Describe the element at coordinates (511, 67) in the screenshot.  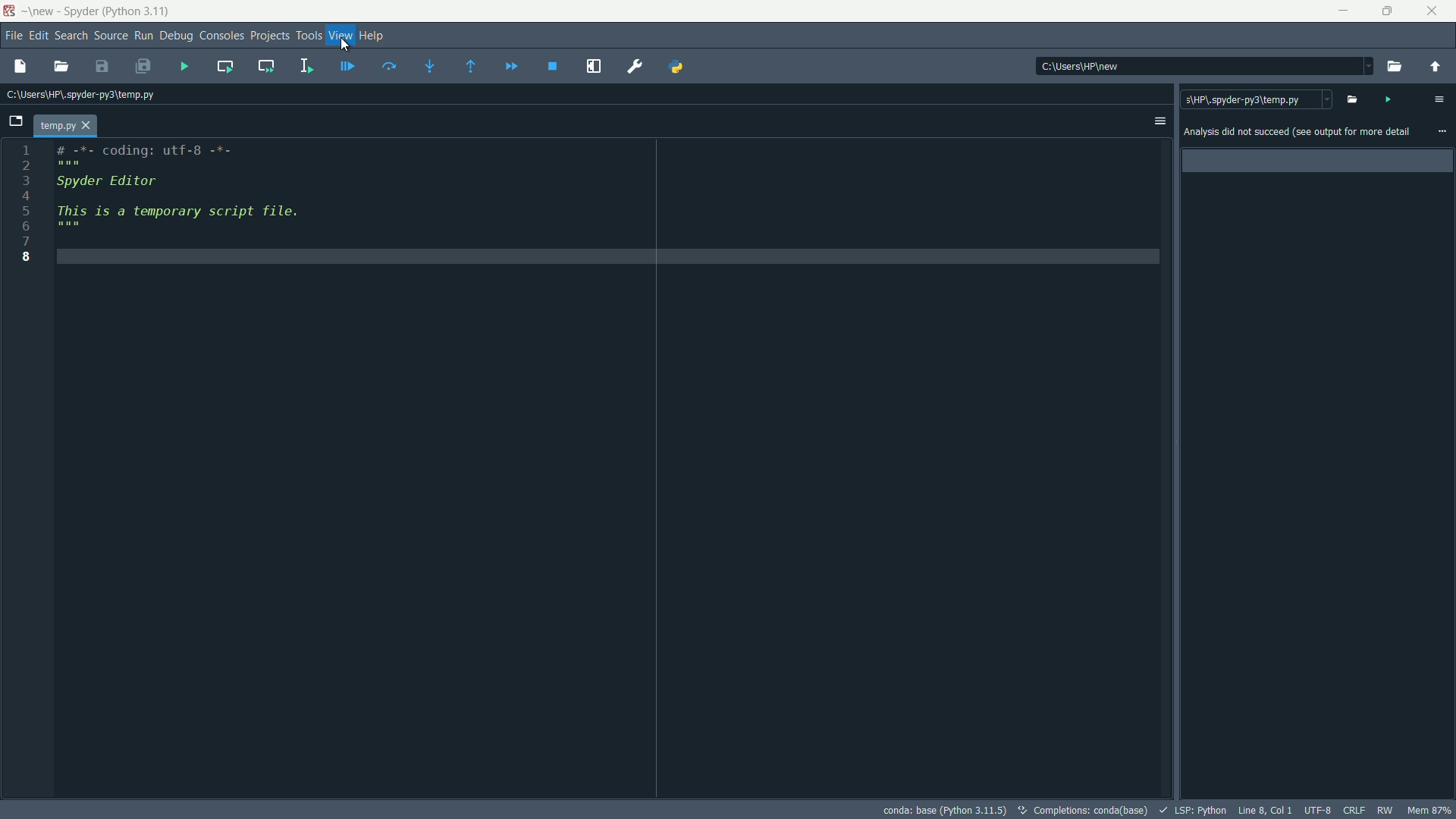
I see `continue execution until next breakpoint` at that location.